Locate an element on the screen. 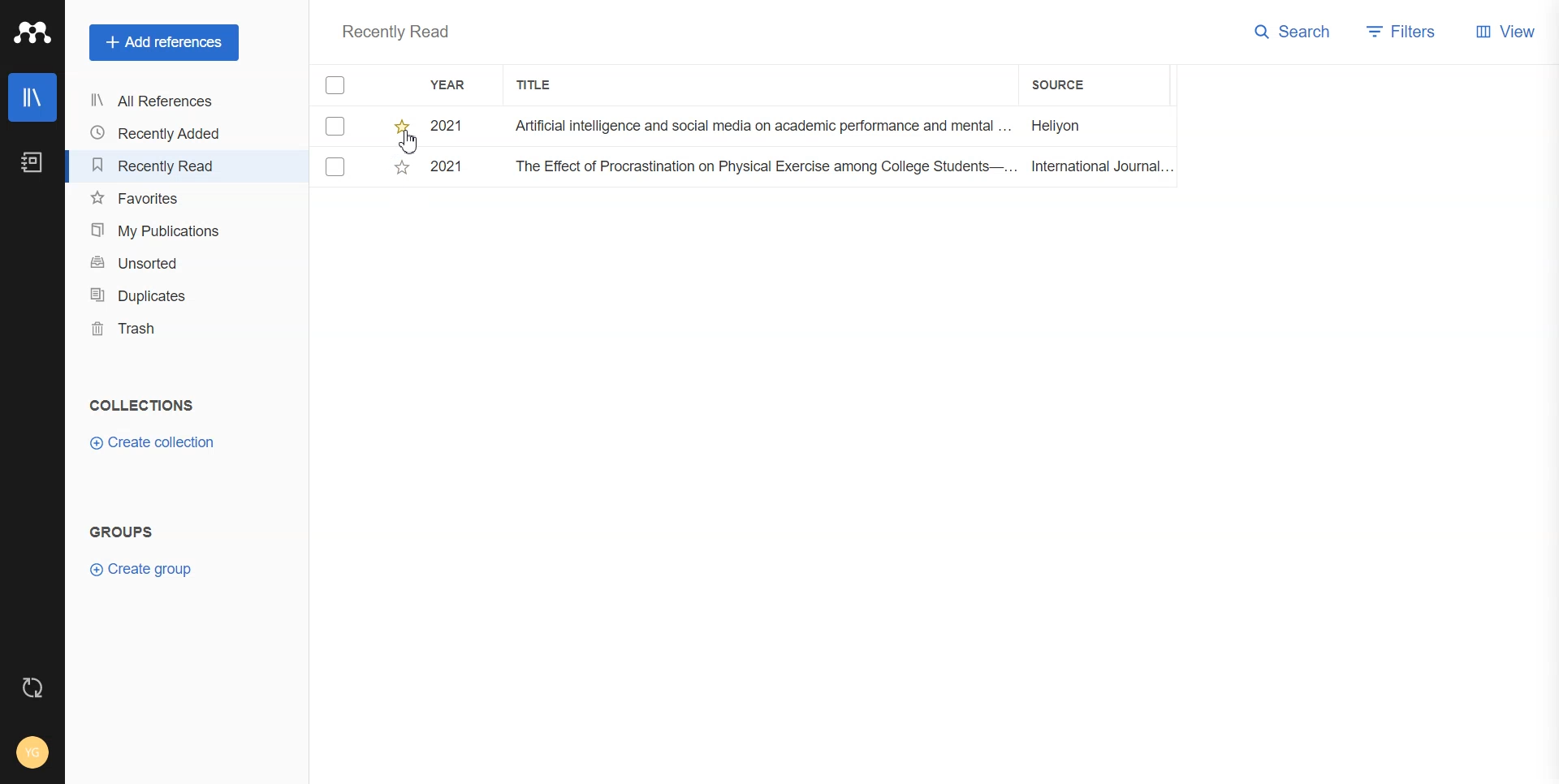 Image resolution: width=1559 pixels, height=784 pixels. Cursor is located at coordinates (404, 142).